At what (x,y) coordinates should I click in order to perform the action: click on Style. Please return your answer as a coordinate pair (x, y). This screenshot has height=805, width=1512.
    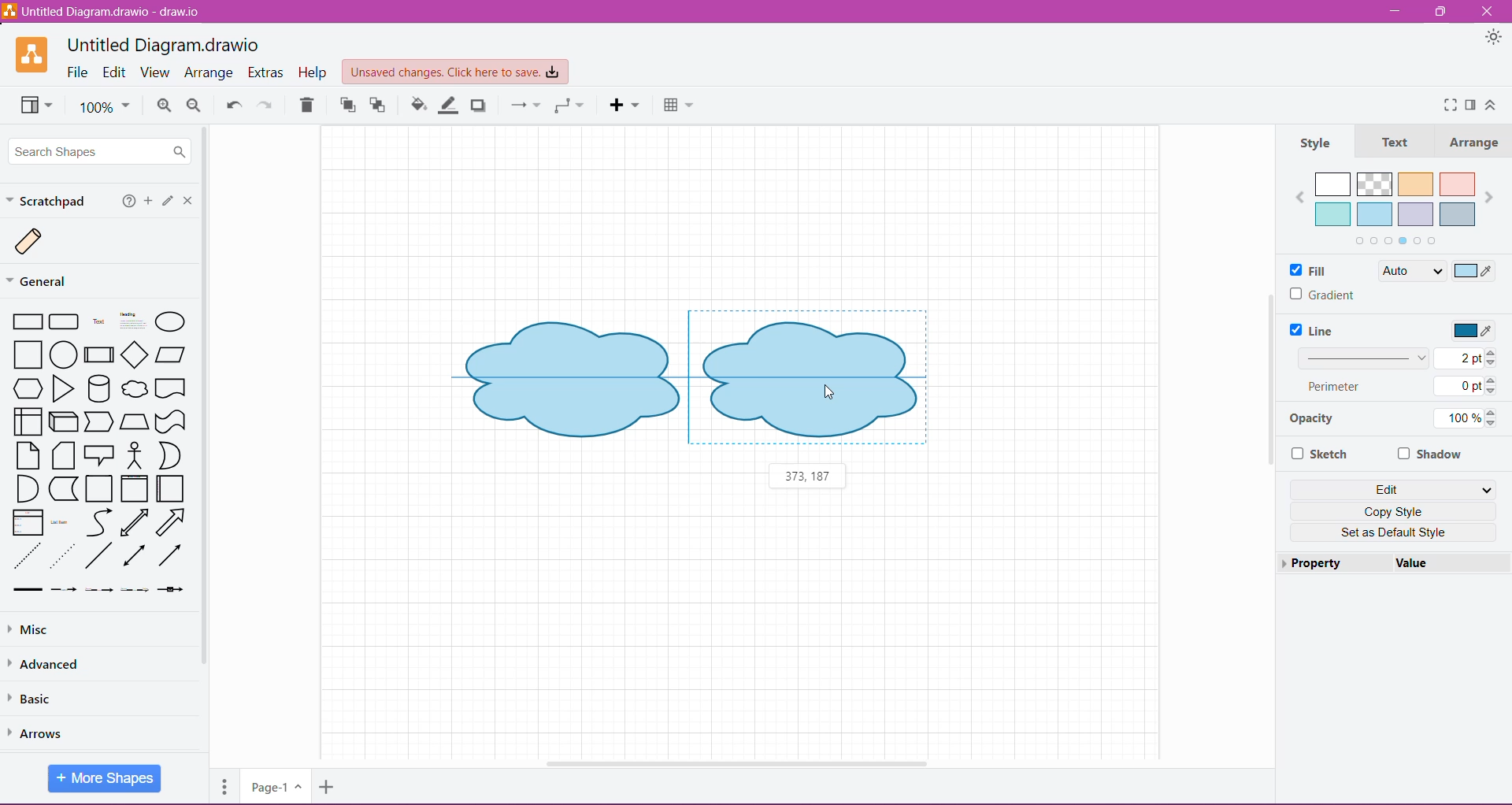
    Looking at the image, I should click on (1317, 144).